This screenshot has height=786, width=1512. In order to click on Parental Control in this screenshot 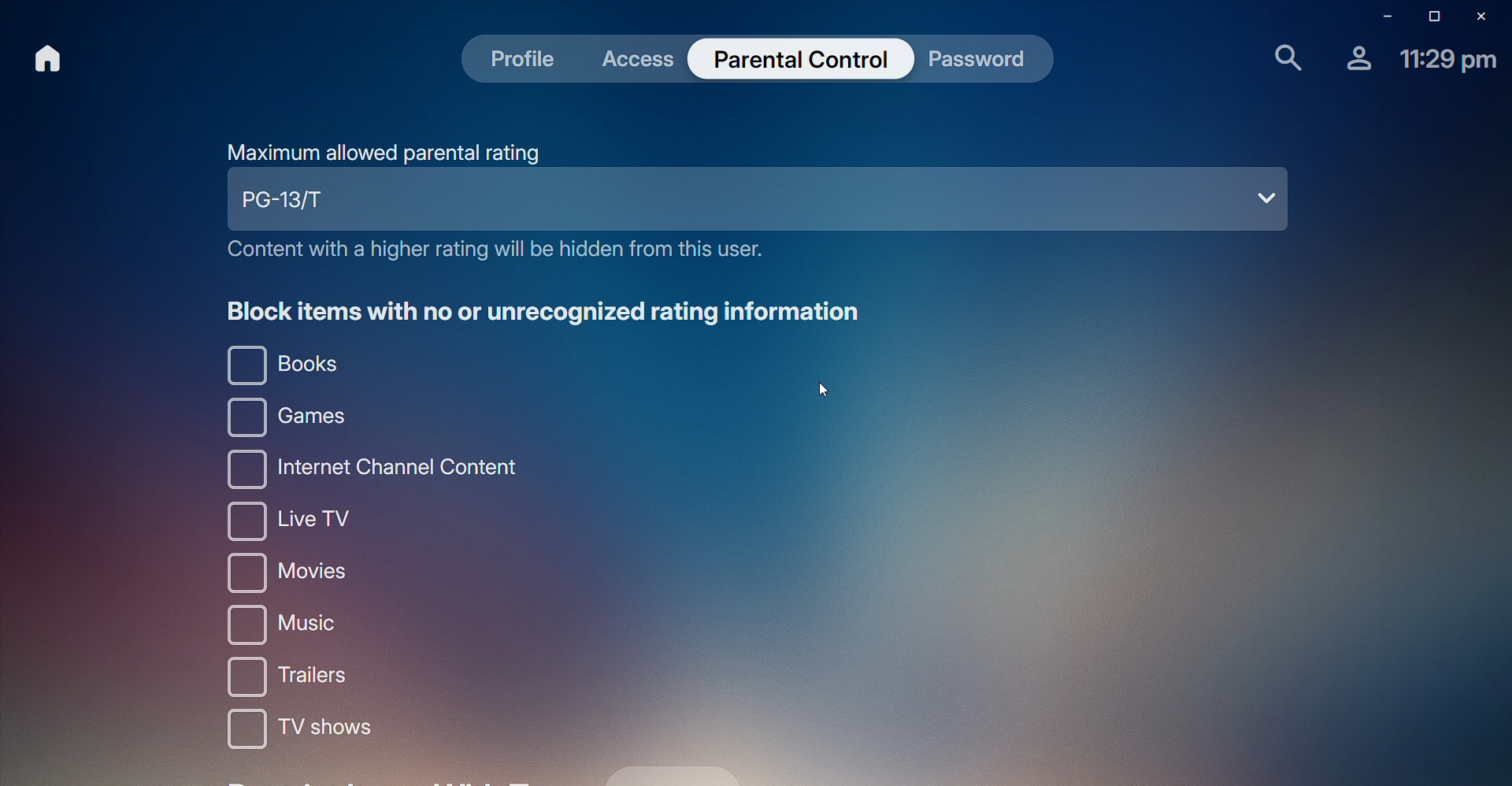, I will do `click(799, 61)`.